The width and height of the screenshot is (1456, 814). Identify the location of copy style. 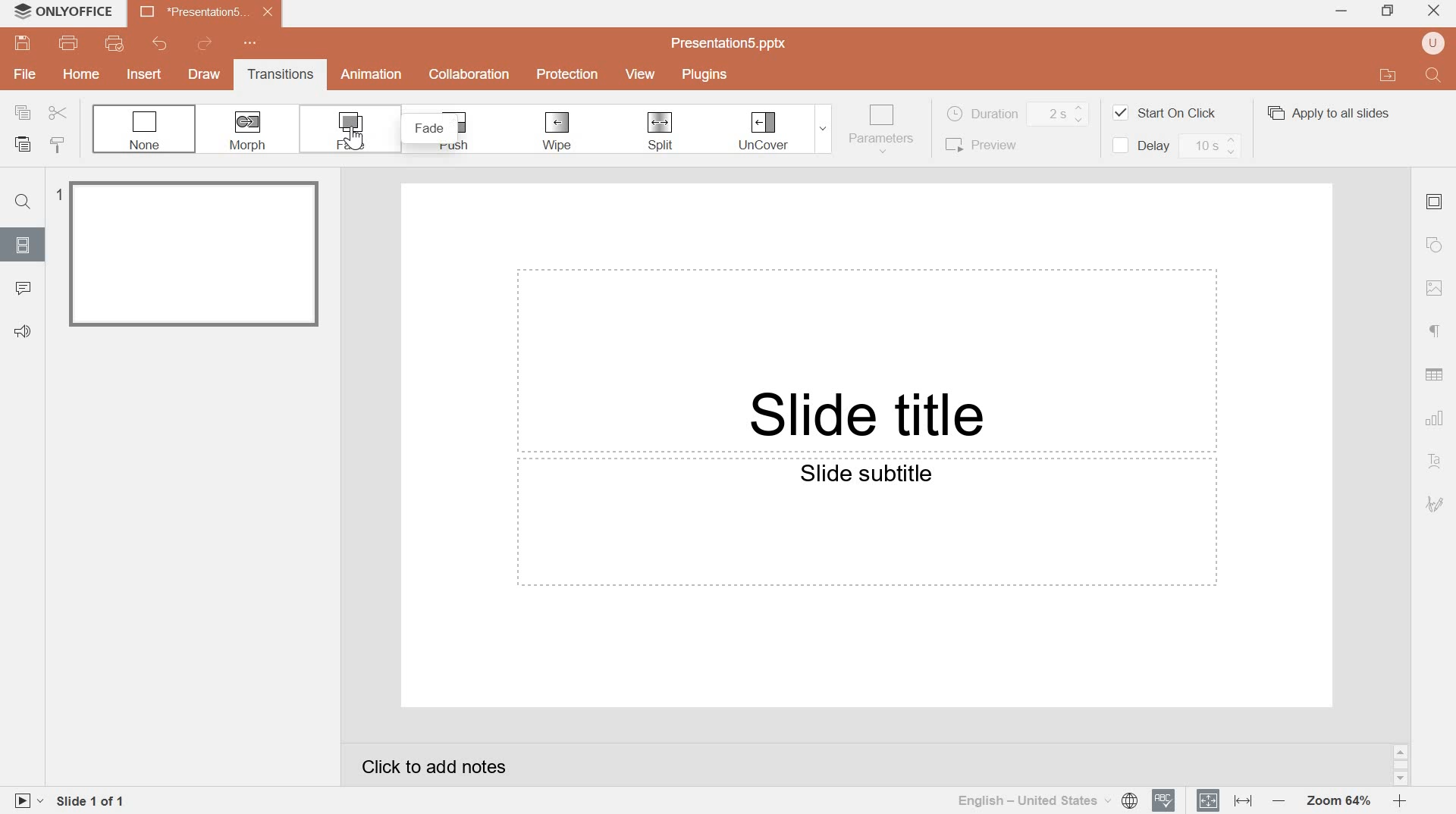
(61, 144).